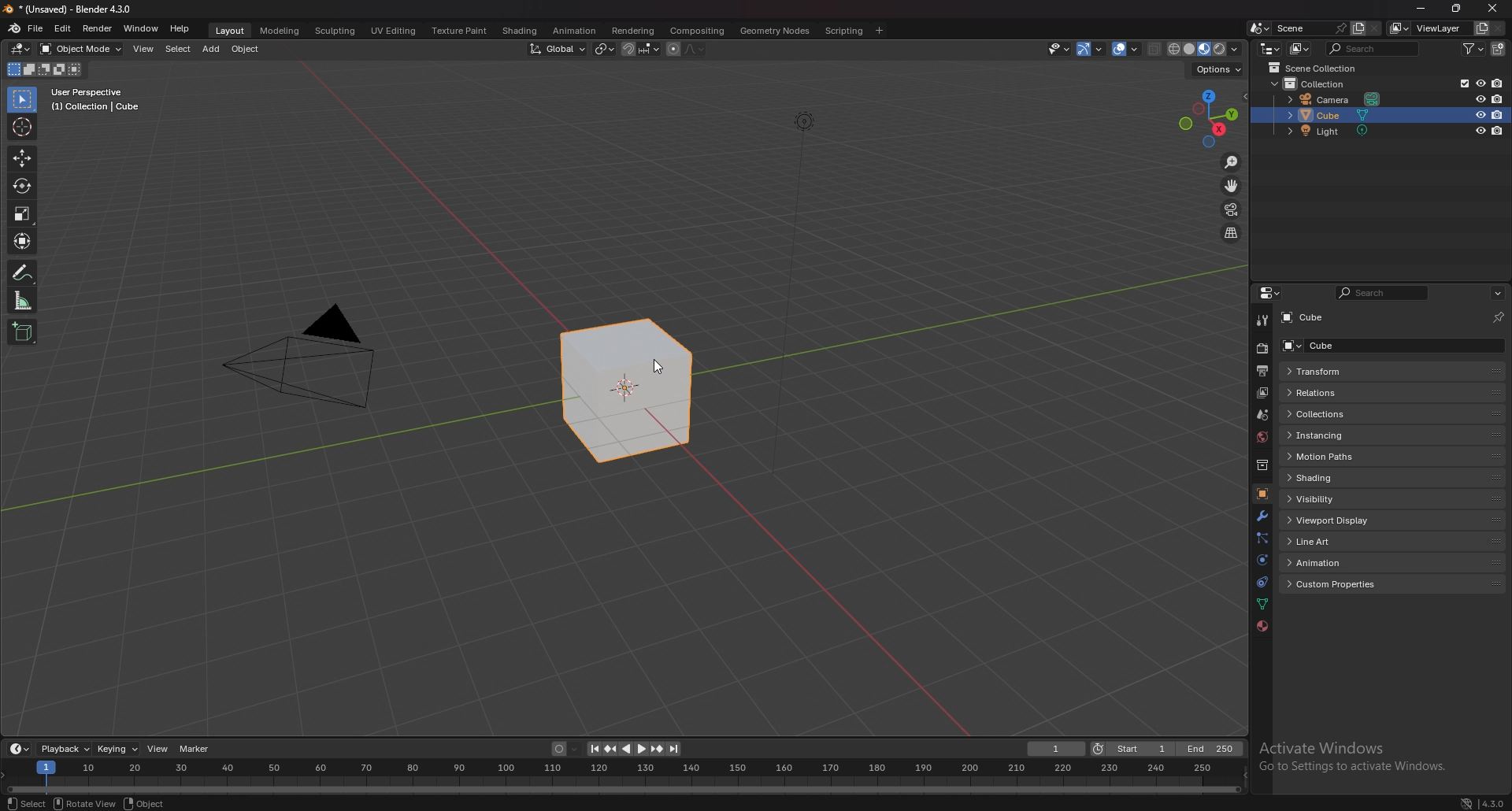  I want to click on play animation, so click(633, 748).